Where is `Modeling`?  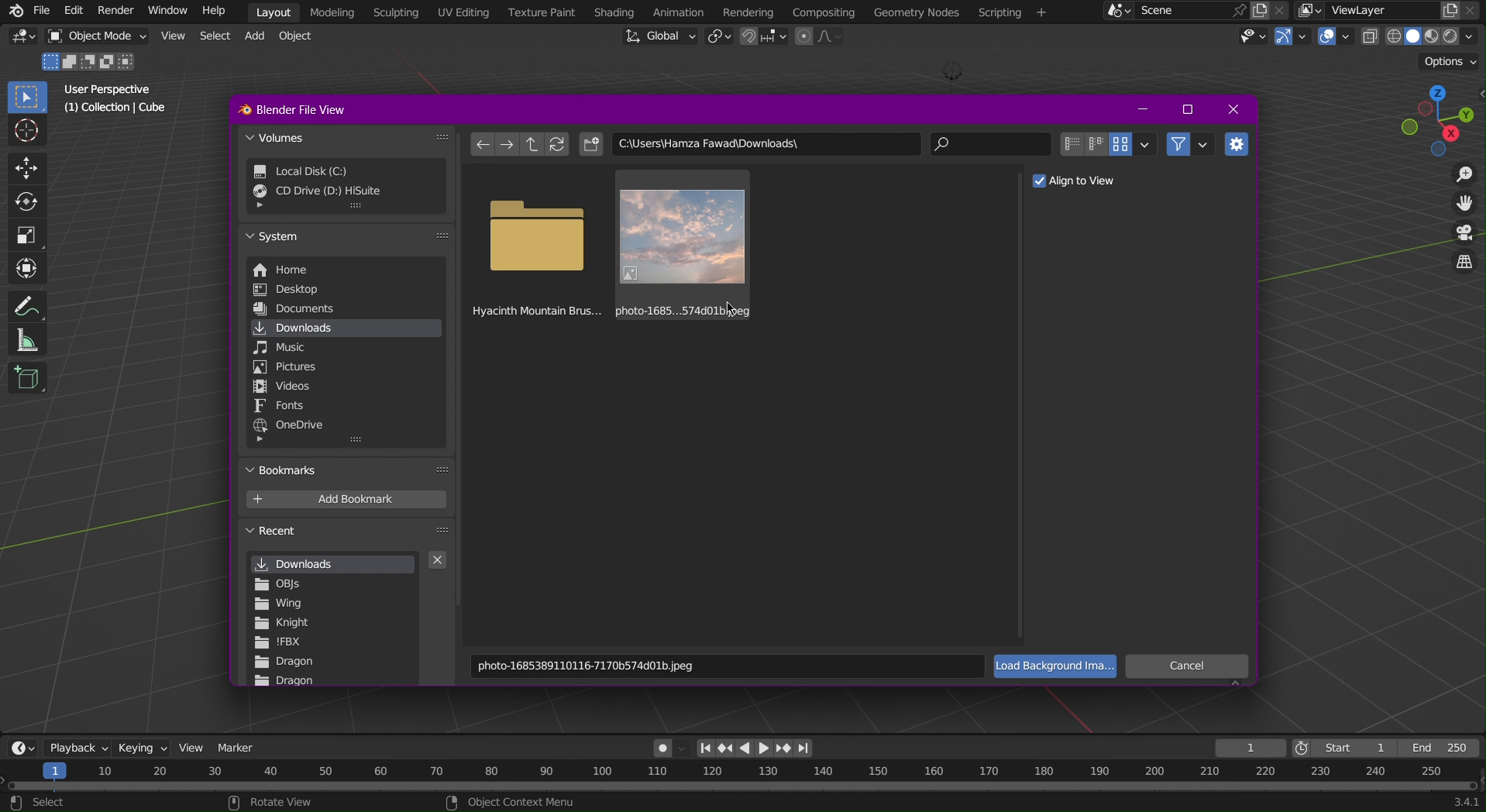
Modeling is located at coordinates (334, 12).